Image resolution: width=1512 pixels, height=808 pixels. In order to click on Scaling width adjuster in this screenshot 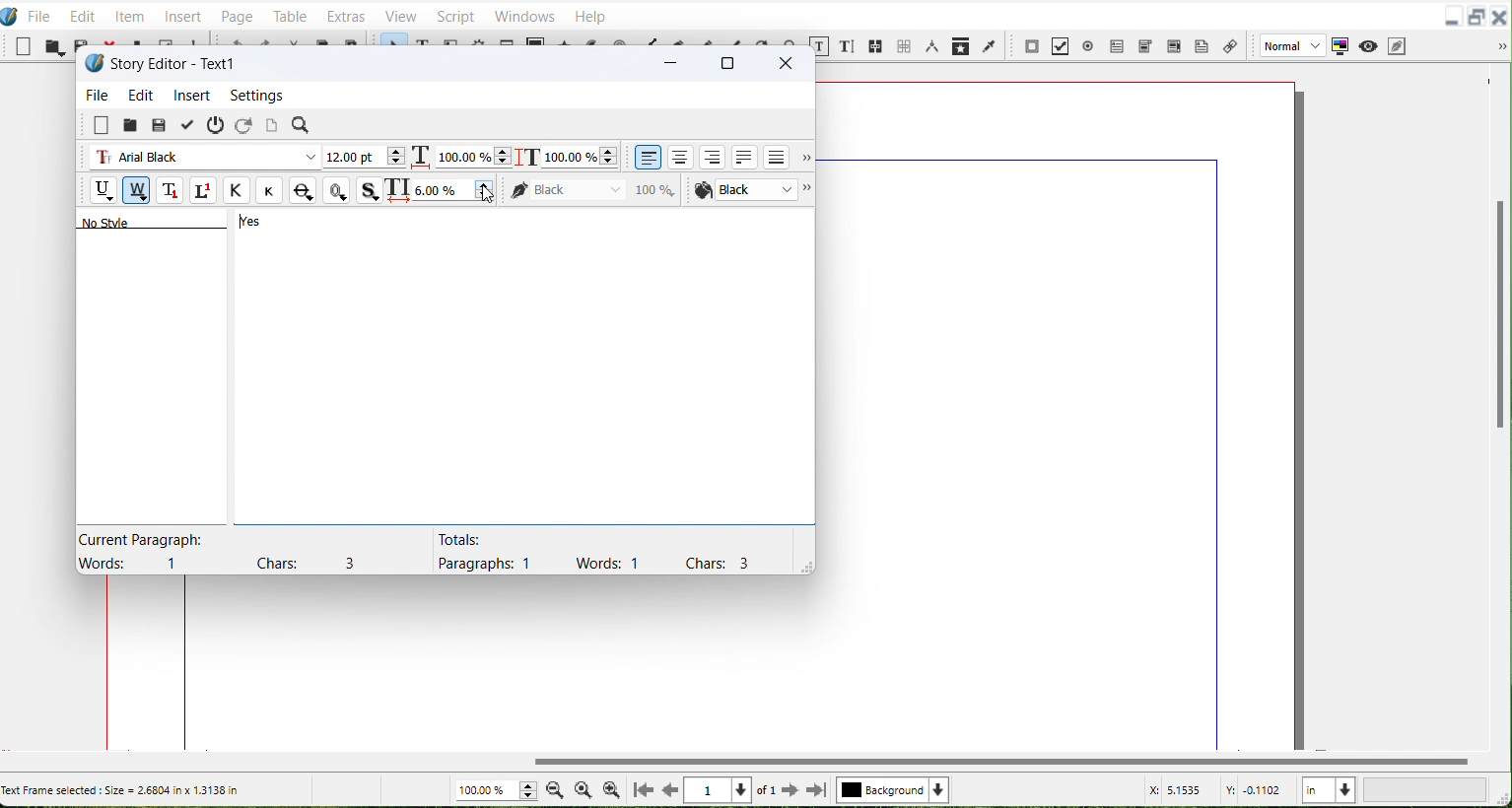, I will do `click(460, 154)`.